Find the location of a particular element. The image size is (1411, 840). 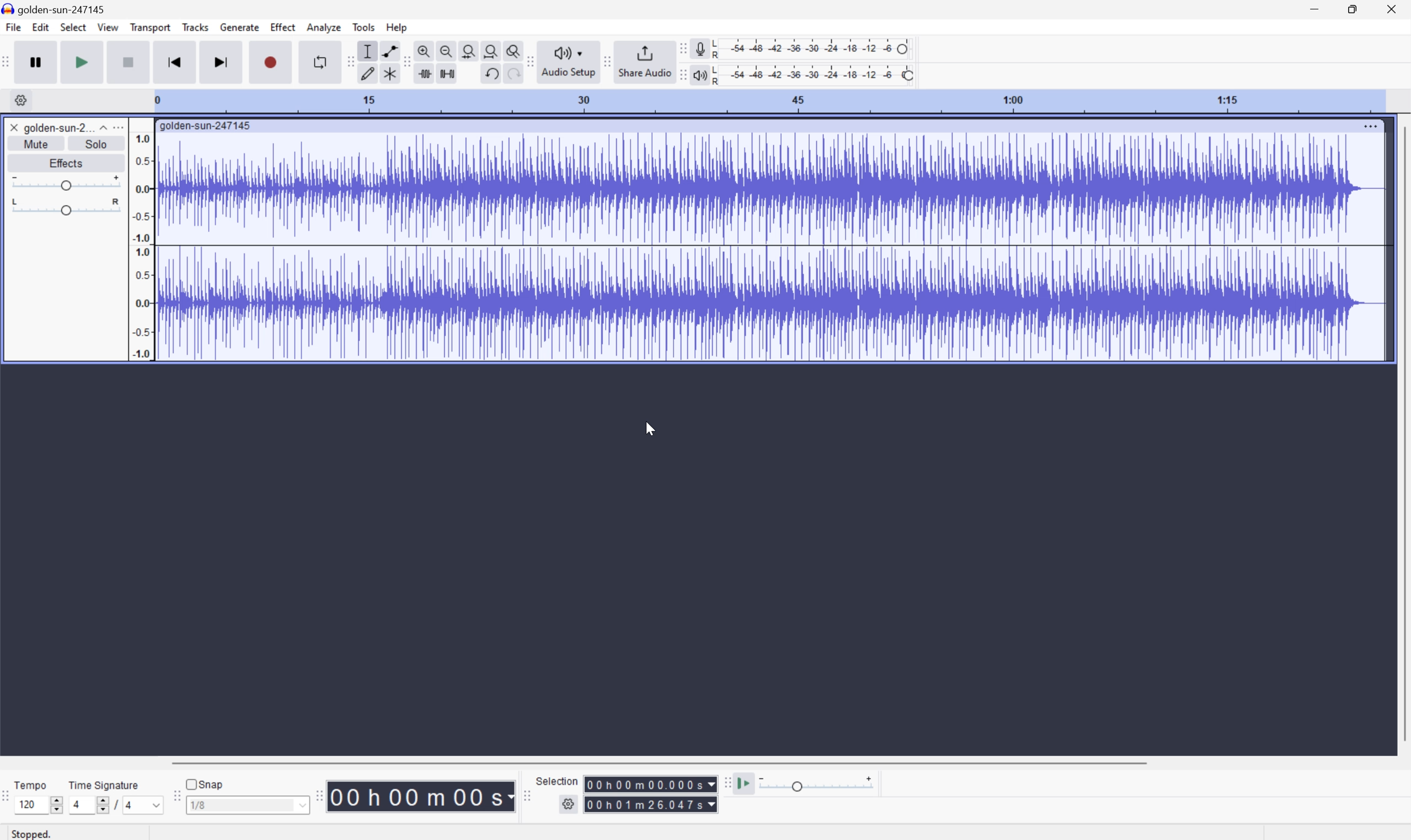

Audio is located at coordinates (770, 246).